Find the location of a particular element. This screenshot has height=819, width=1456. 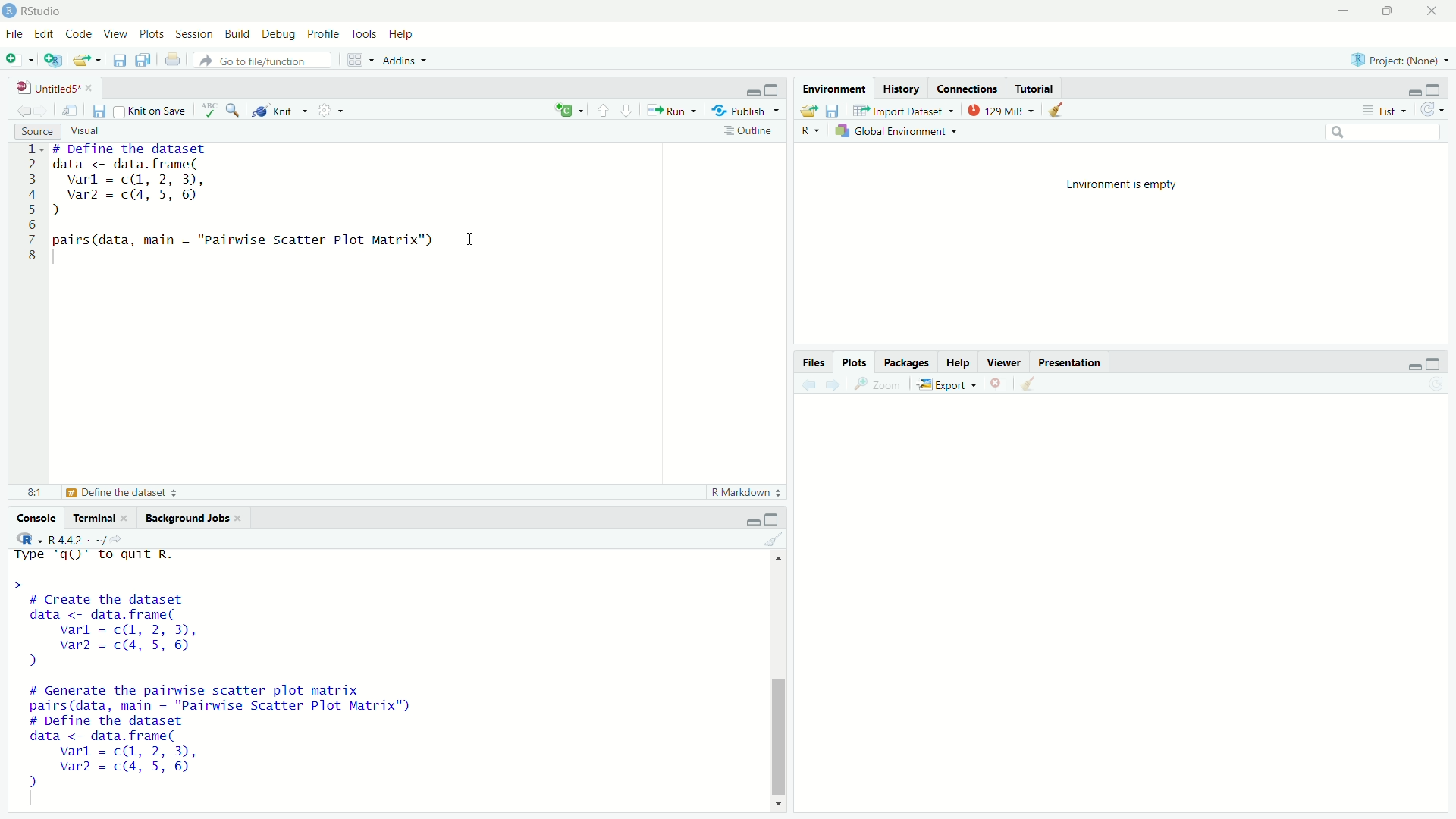

Refresh the list of objects in the environment is located at coordinates (1432, 110).